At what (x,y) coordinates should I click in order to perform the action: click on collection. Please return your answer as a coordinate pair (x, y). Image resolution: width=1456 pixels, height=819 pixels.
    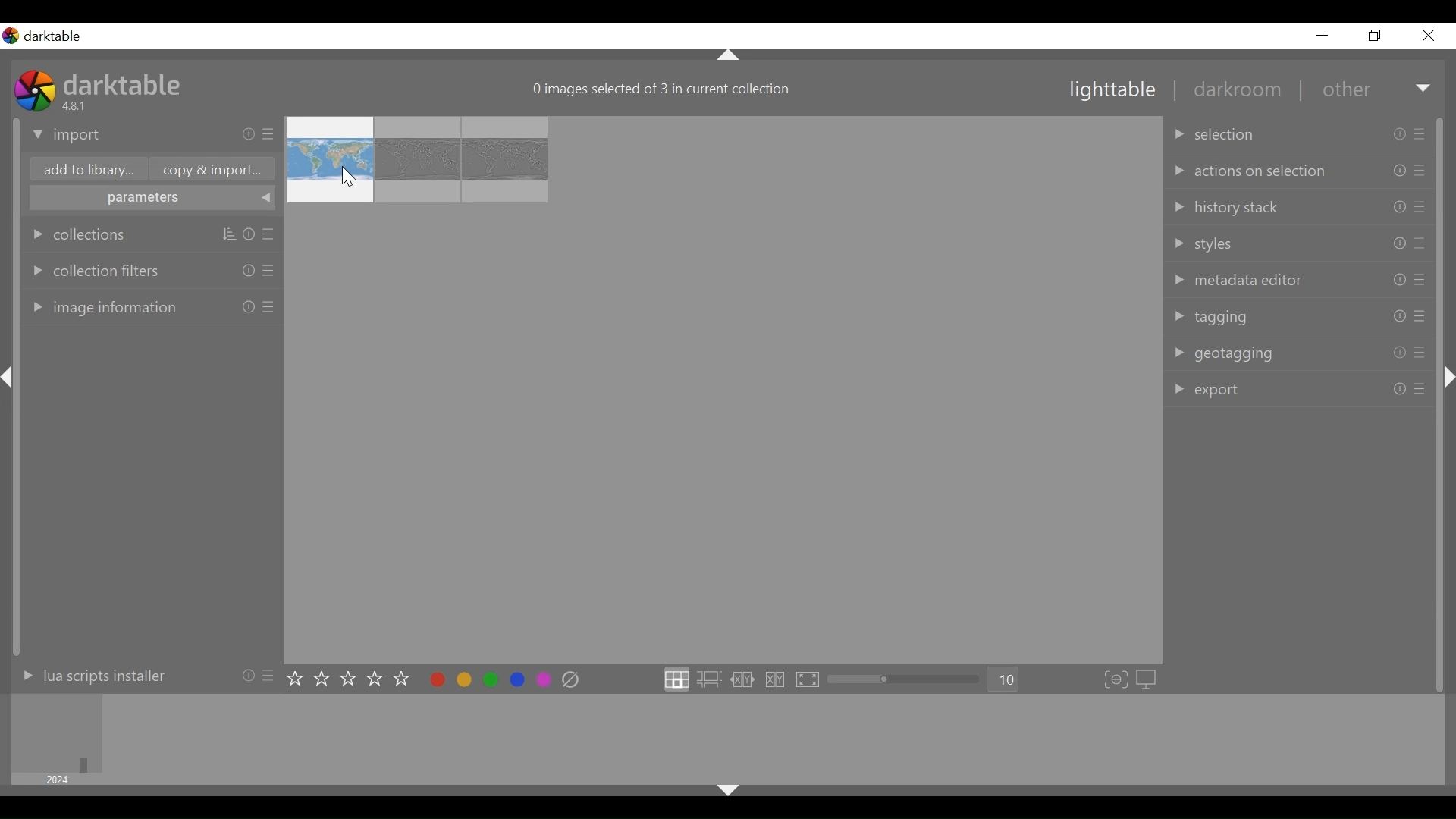
    Looking at the image, I should click on (149, 231).